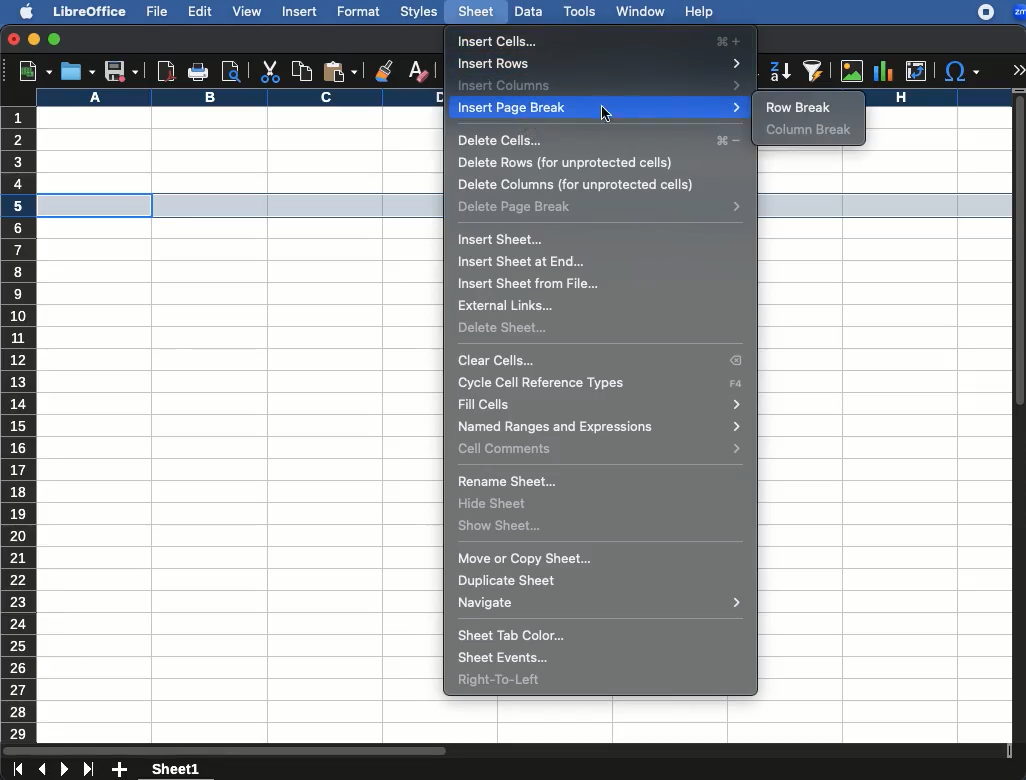 Image resolution: width=1026 pixels, height=780 pixels. What do you see at coordinates (383, 69) in the screenshot?
I see `clone formatting` at bounding box center [383, 69].